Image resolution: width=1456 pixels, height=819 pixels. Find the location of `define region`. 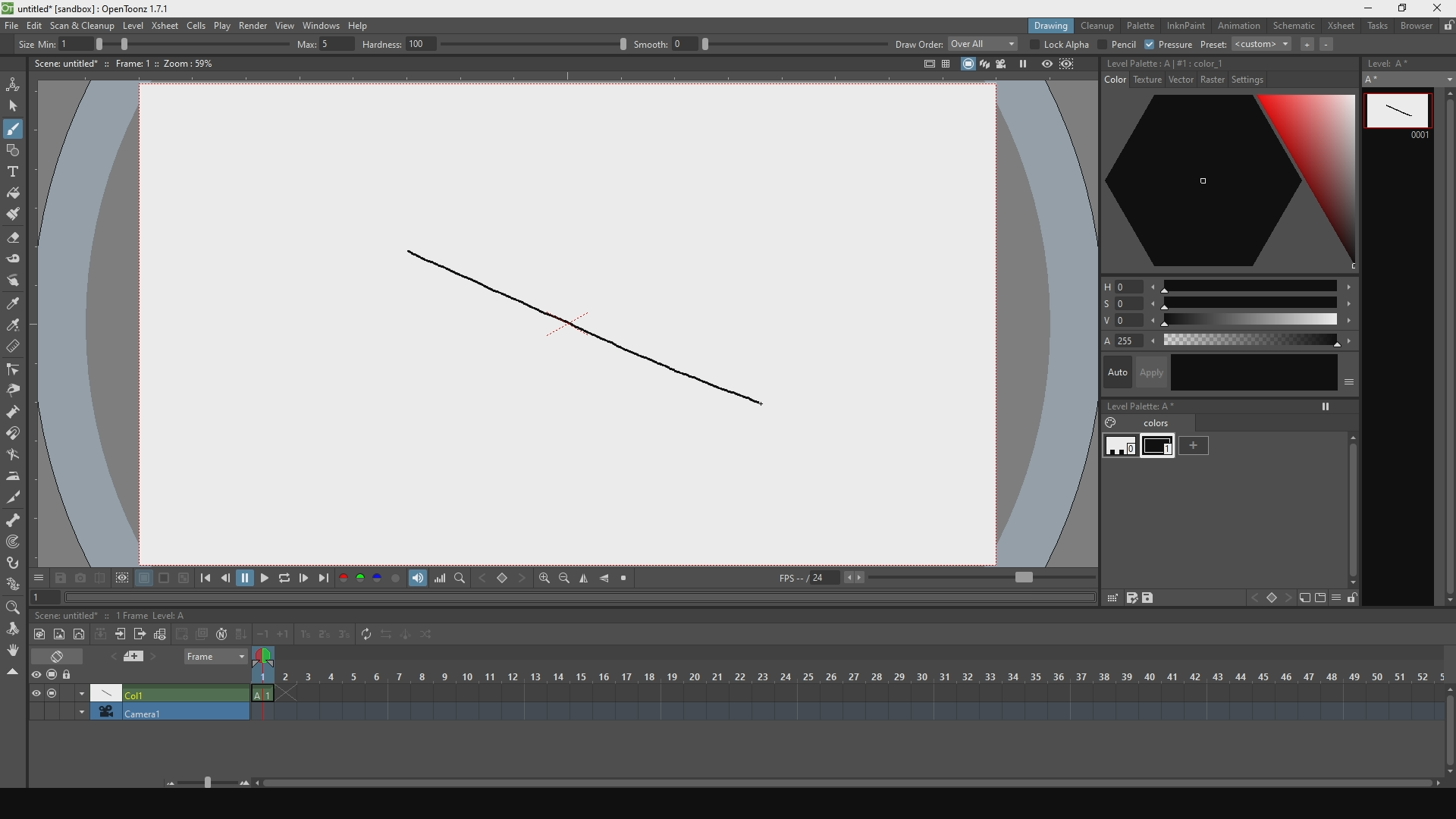

define region is located at coordinates (1077, 65).